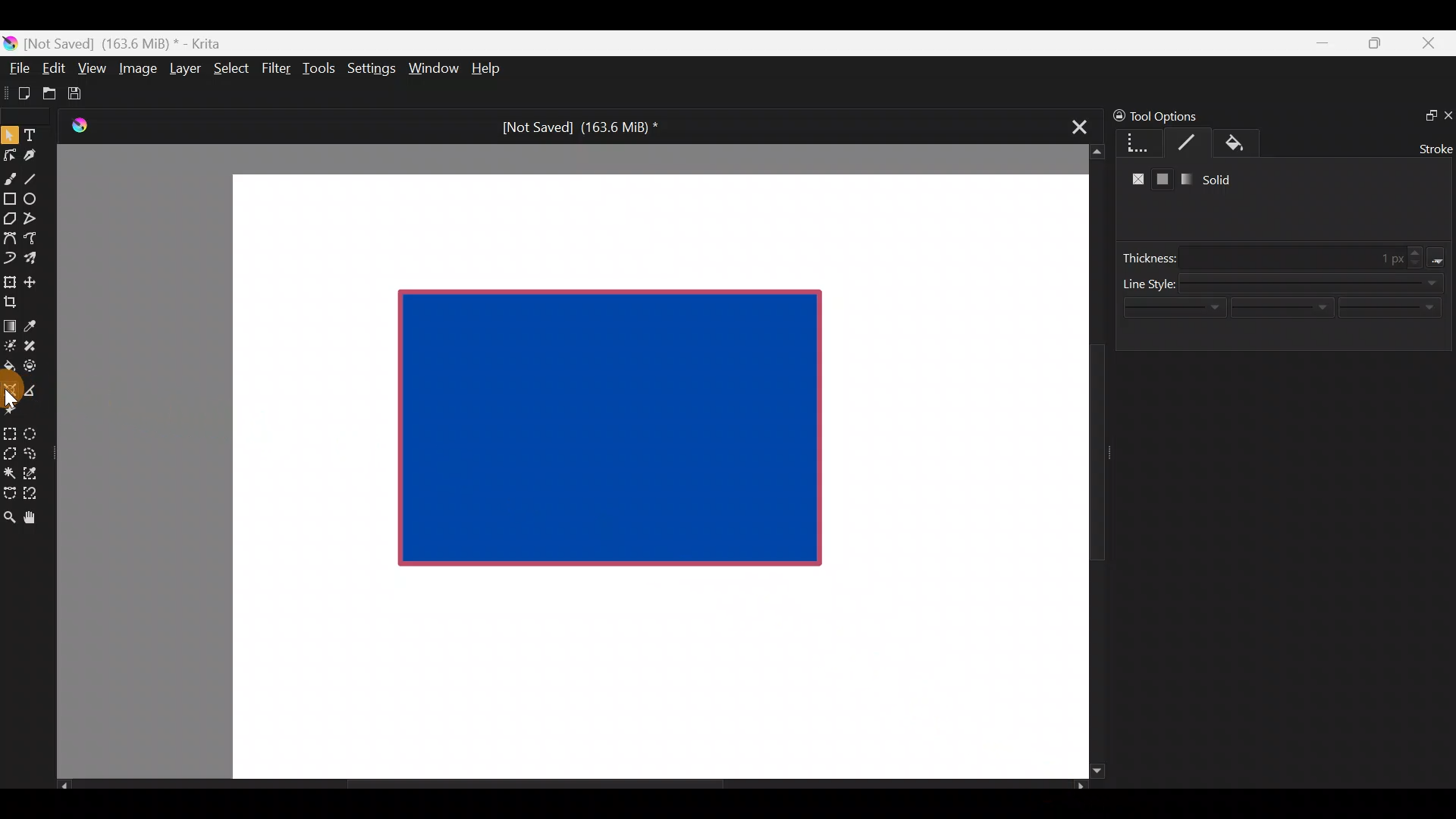 This screenshot has width=1456, height=819. I want to click on Draw a gradient, so click(9, 322).